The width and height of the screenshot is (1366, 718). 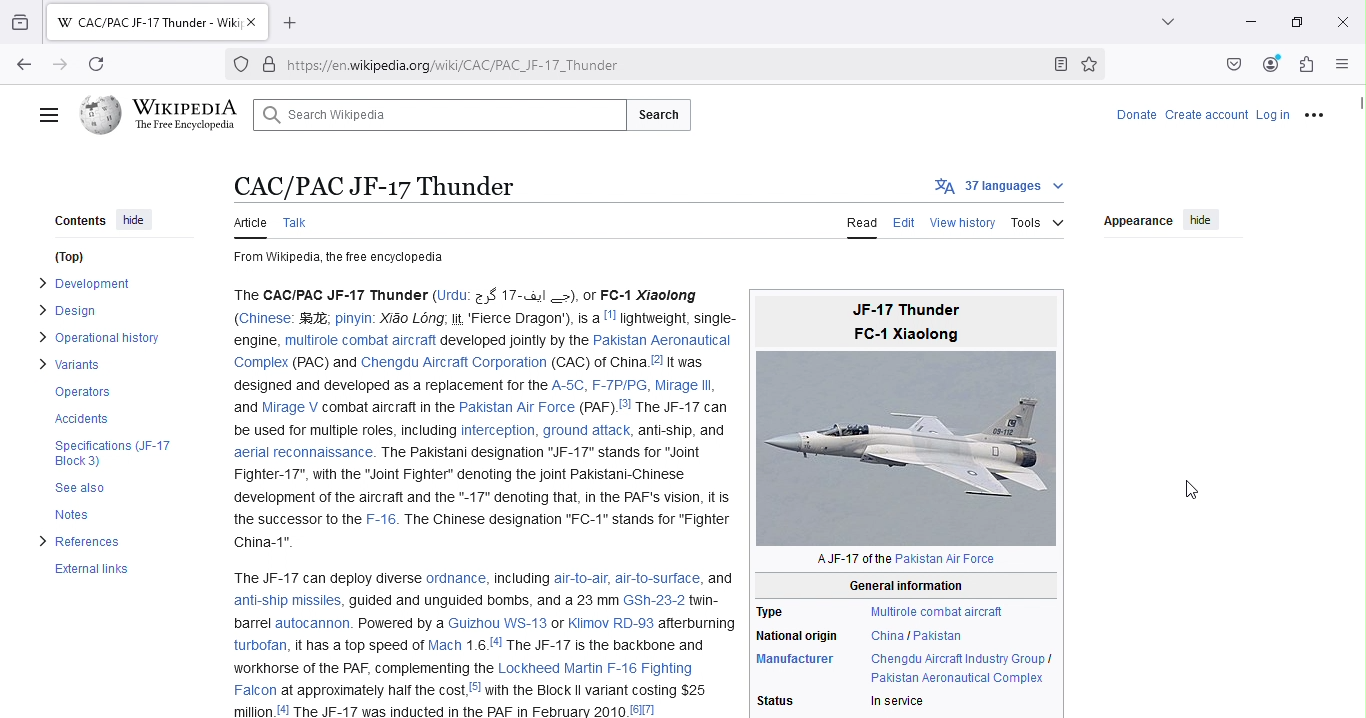 What do you see at coordinates (270, 64) in the screenshot?
I see `Site information` at bounding box center [270, 64].